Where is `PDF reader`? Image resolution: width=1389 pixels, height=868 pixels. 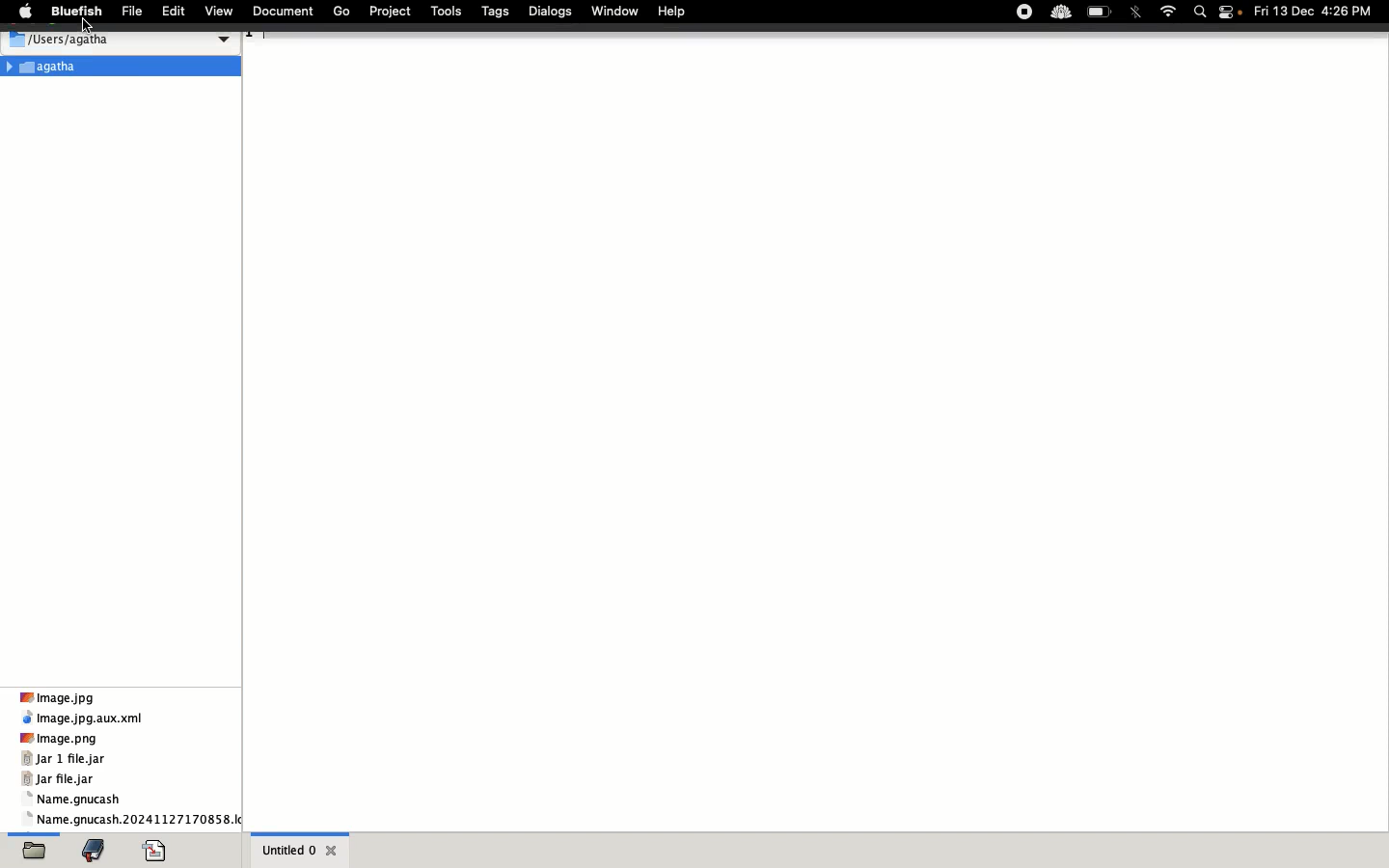 PDF reader is located at coordinates (157, 849).